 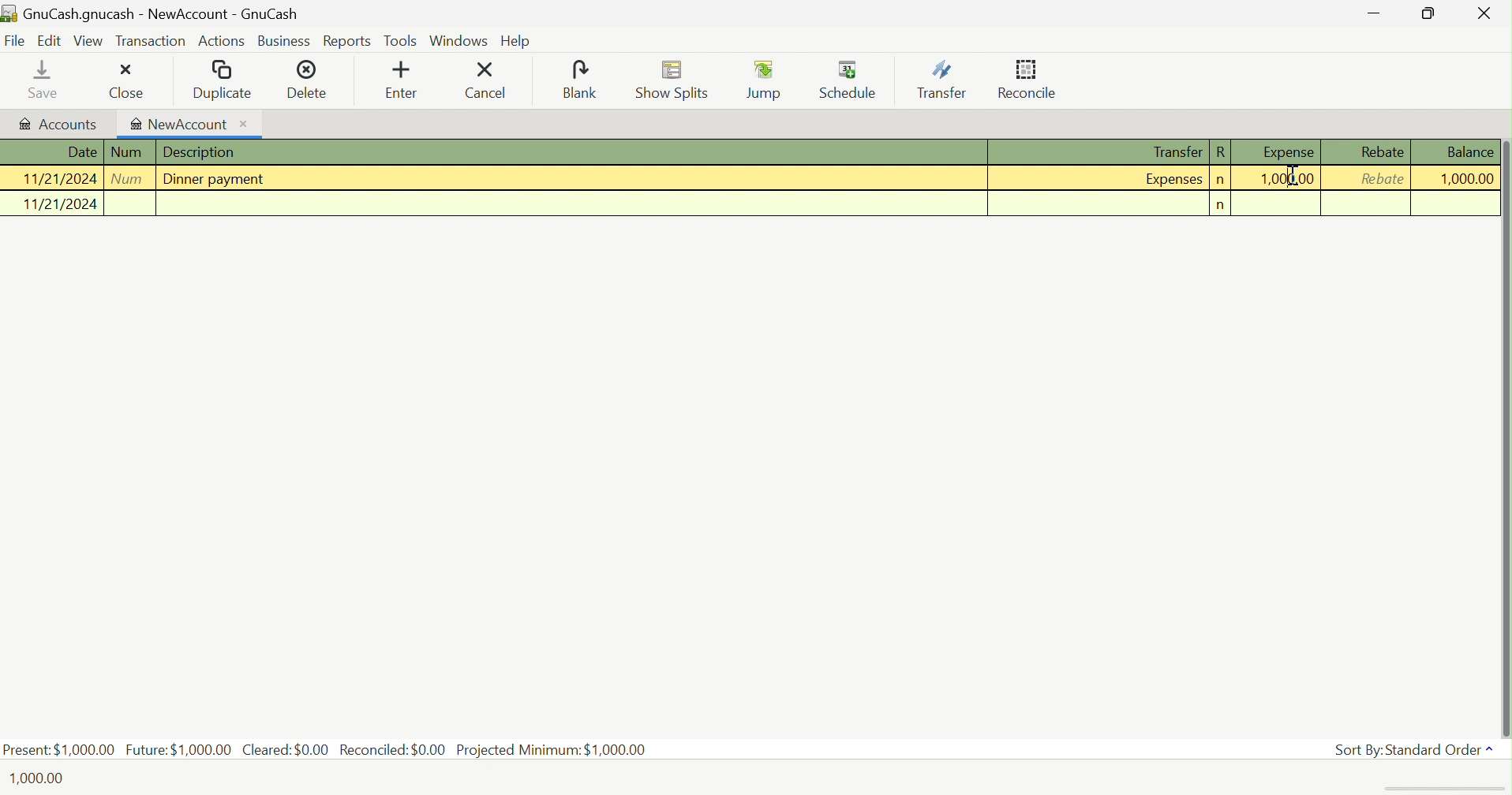 What do you see at coordinates (1375, 15) in the screenshot?
I see `Minimize` at bounding box center [1375, 15].